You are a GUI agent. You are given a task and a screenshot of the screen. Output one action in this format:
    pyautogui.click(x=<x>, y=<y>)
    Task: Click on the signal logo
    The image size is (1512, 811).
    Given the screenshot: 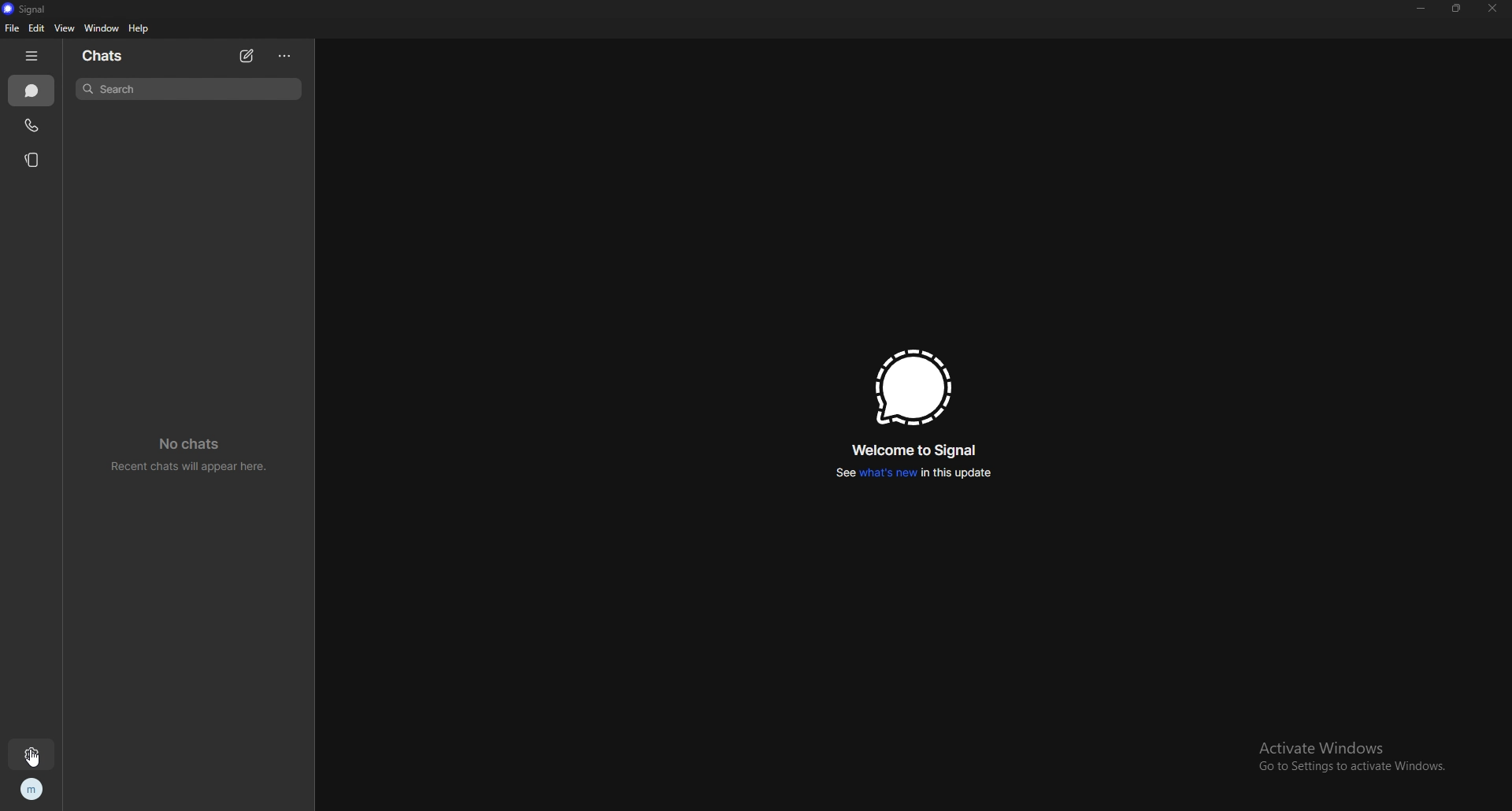 What is the action you would take?
    pyautogui.click(x=910, y=387)
    